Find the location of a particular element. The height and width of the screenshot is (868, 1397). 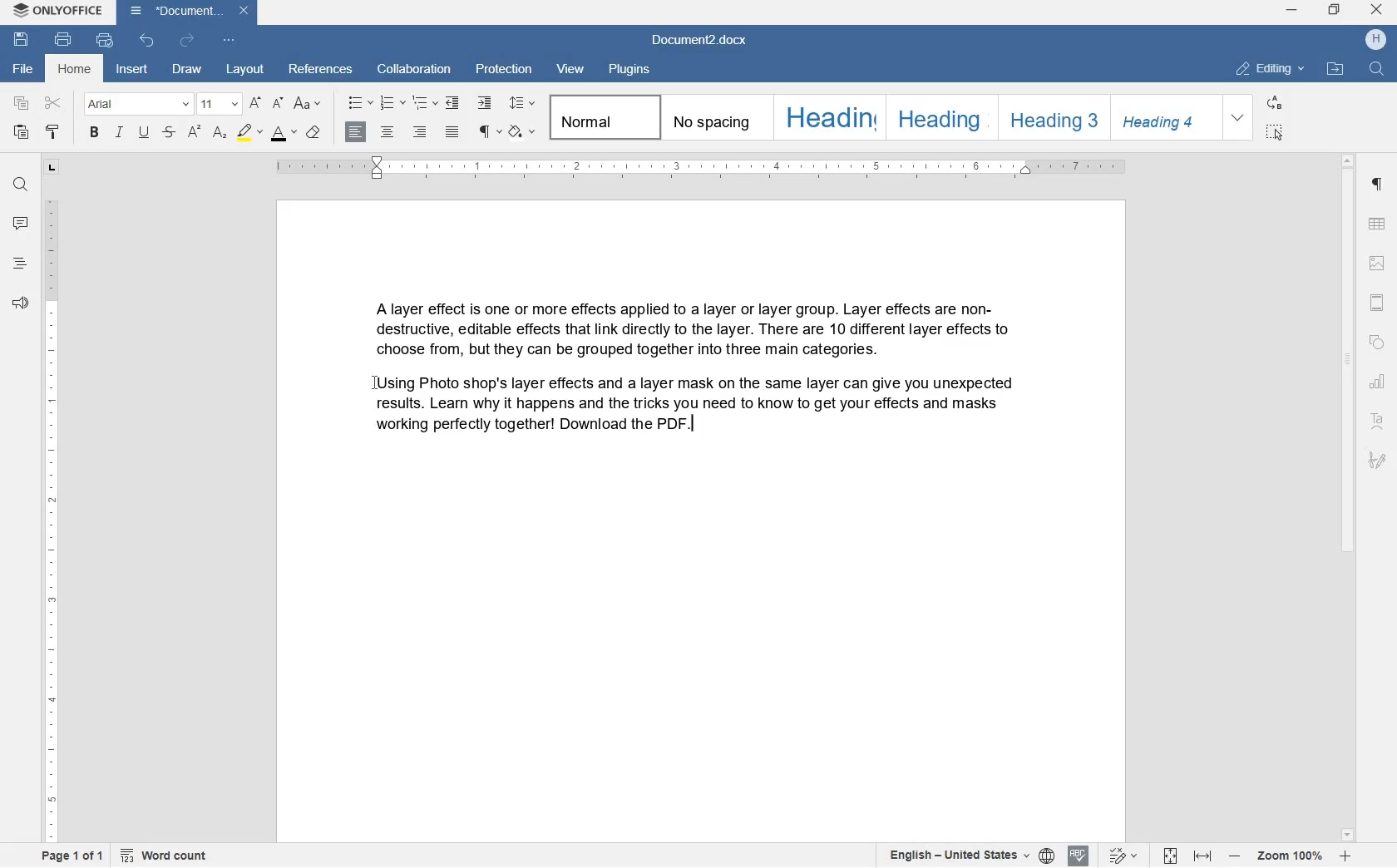

PLUGINS is located at coordinates (629, 70).